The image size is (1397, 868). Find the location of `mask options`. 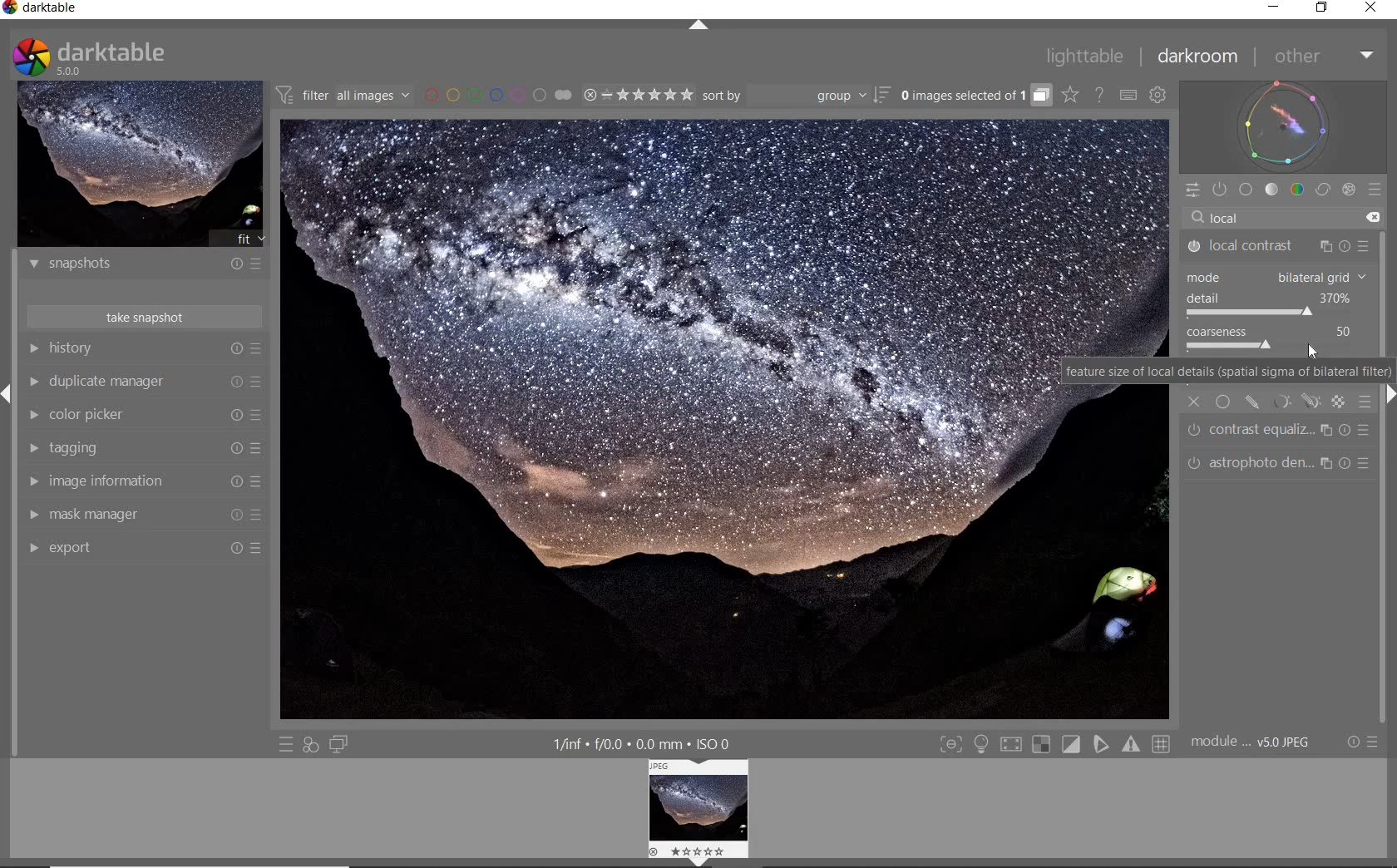

mask options is located at coordinates (1294, 402).